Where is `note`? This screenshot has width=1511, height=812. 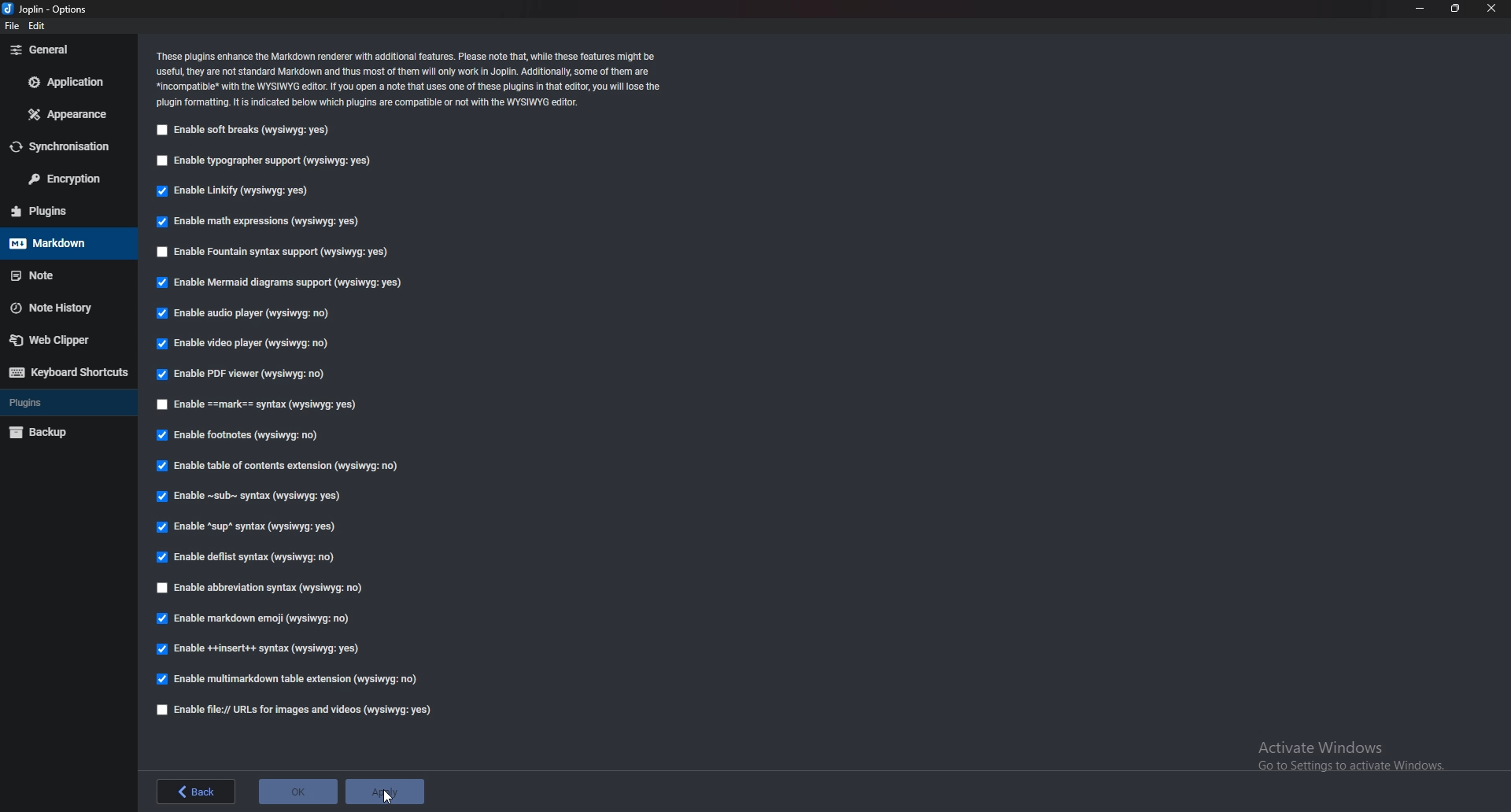
note is located at coordinates (61, 273).